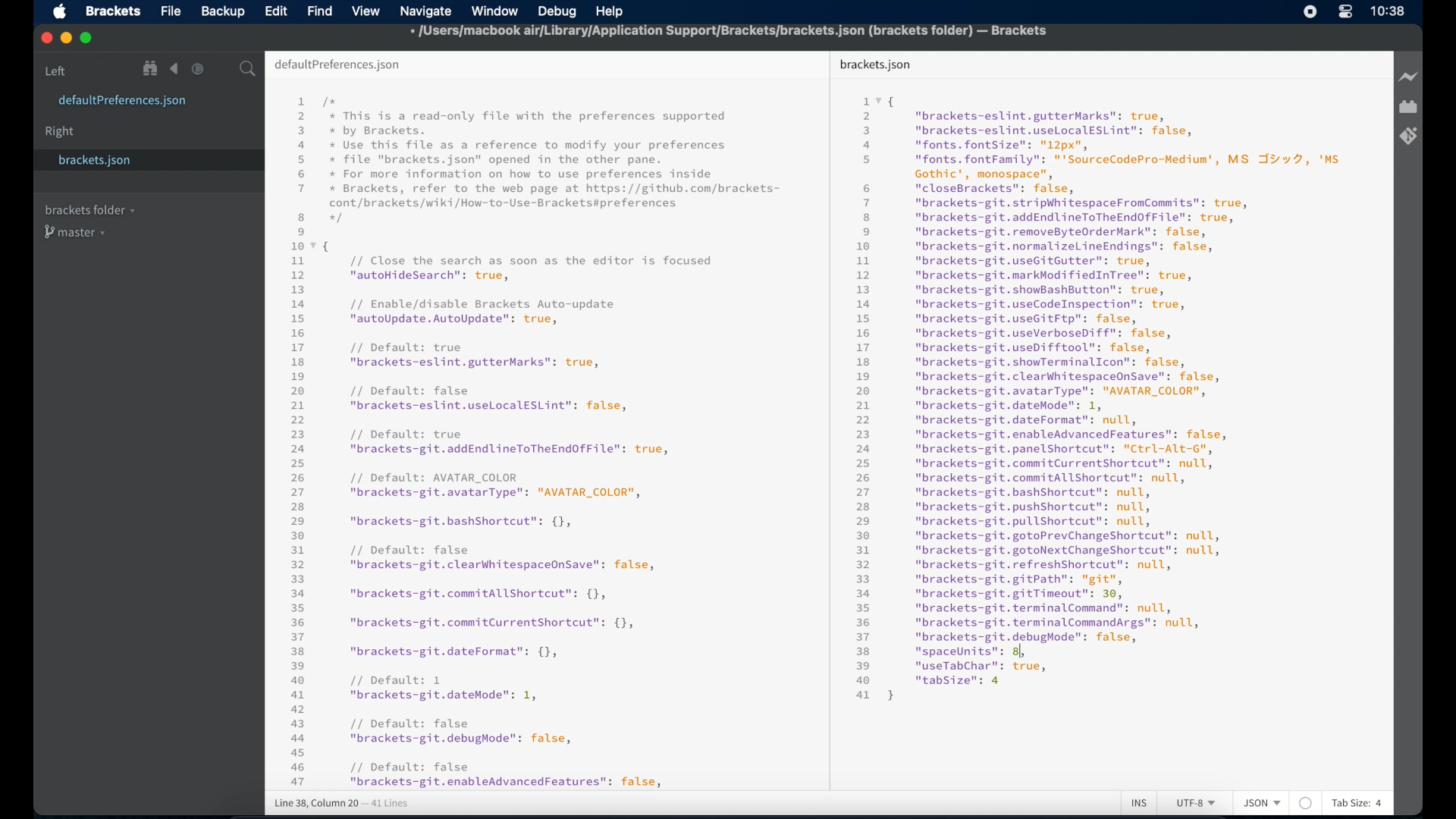  Describe the element at coordinates (56, 71) in the screenshot. I see `left` at that location.